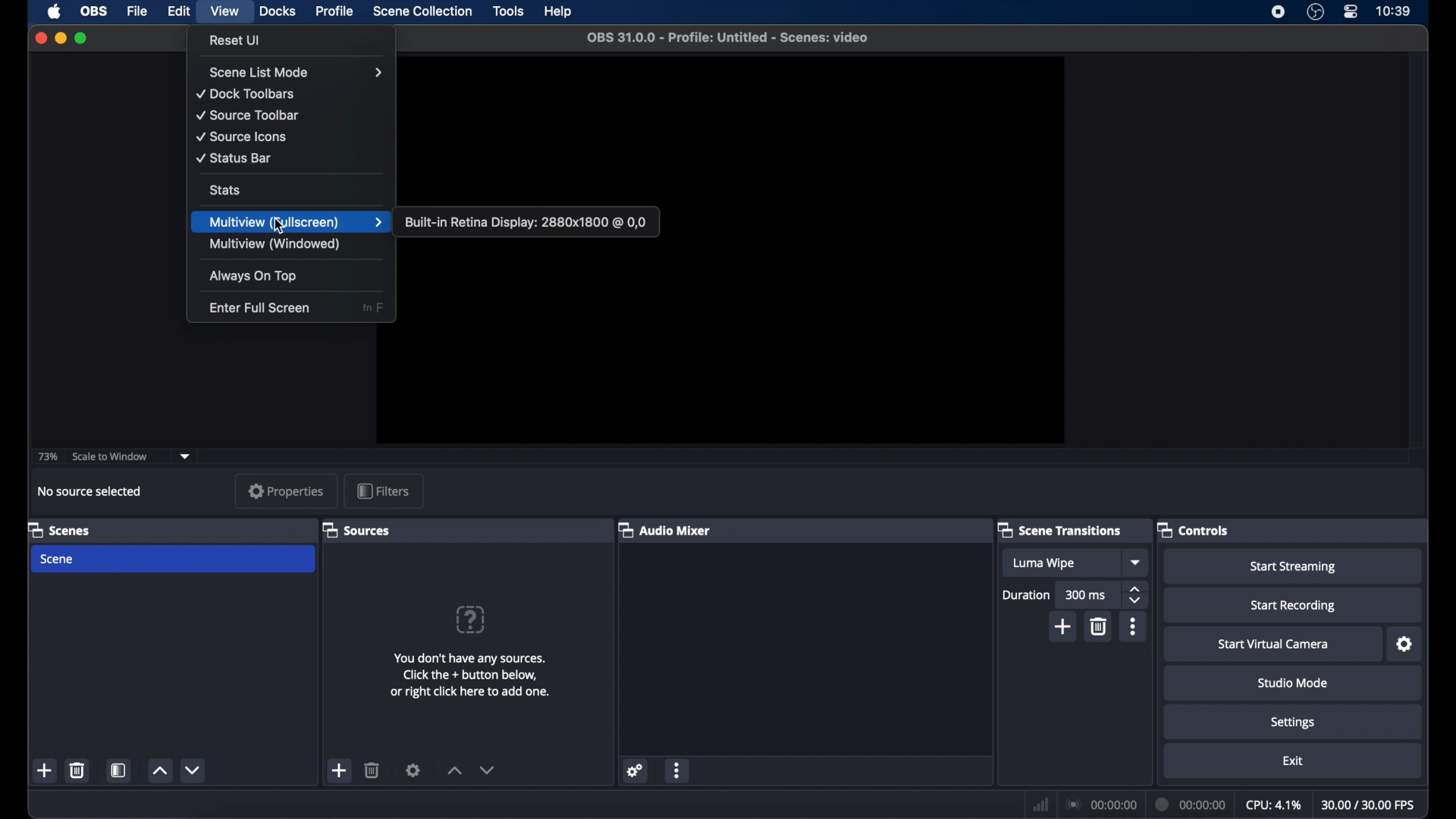 Image resolution: width=1456 pixels, height=819 pixels. Describe the element at coordinates (58, 529) in the screenshot. I see `scenes` at that location.